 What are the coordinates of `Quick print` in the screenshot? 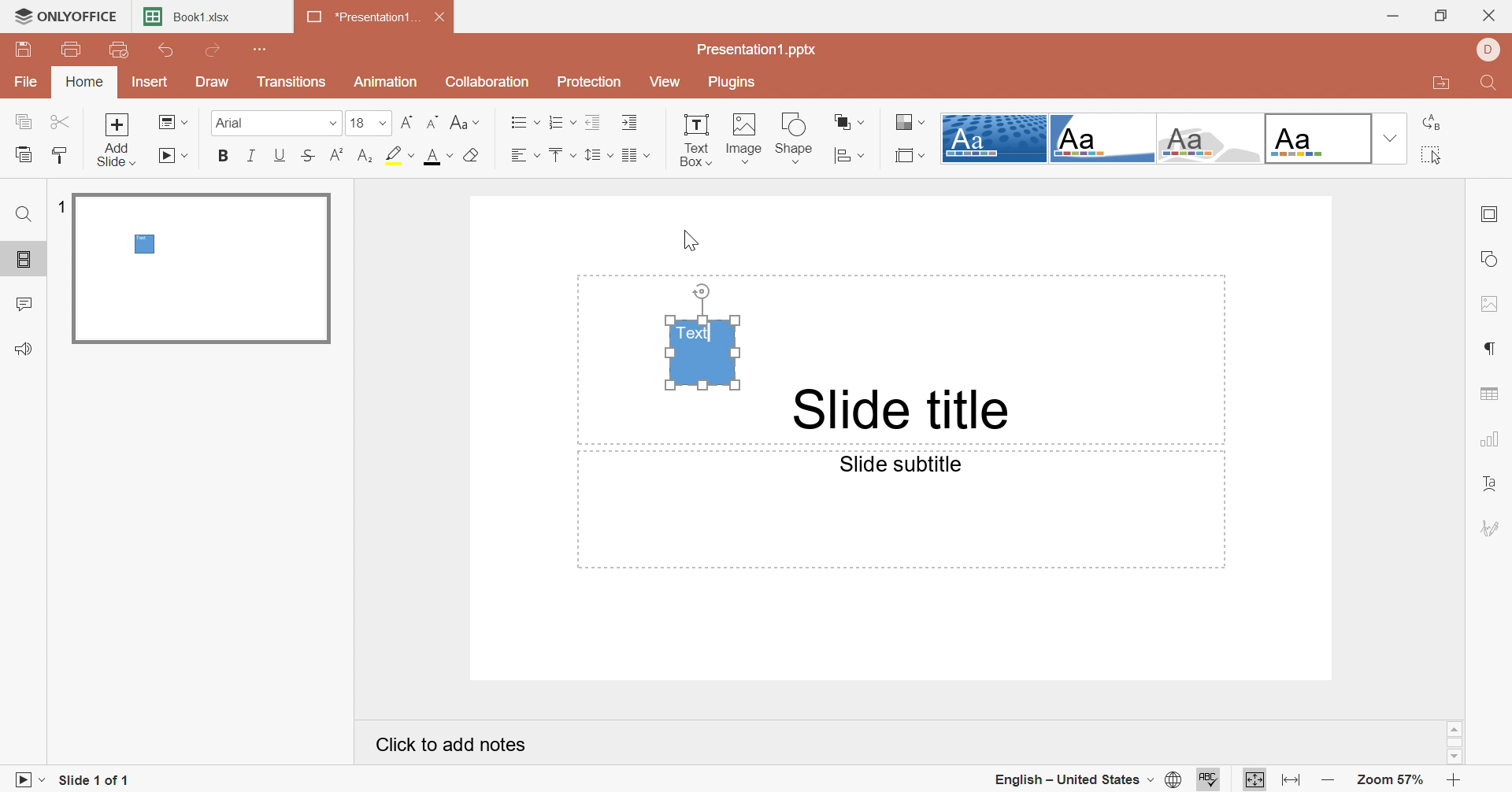 It's located at (120, 51).